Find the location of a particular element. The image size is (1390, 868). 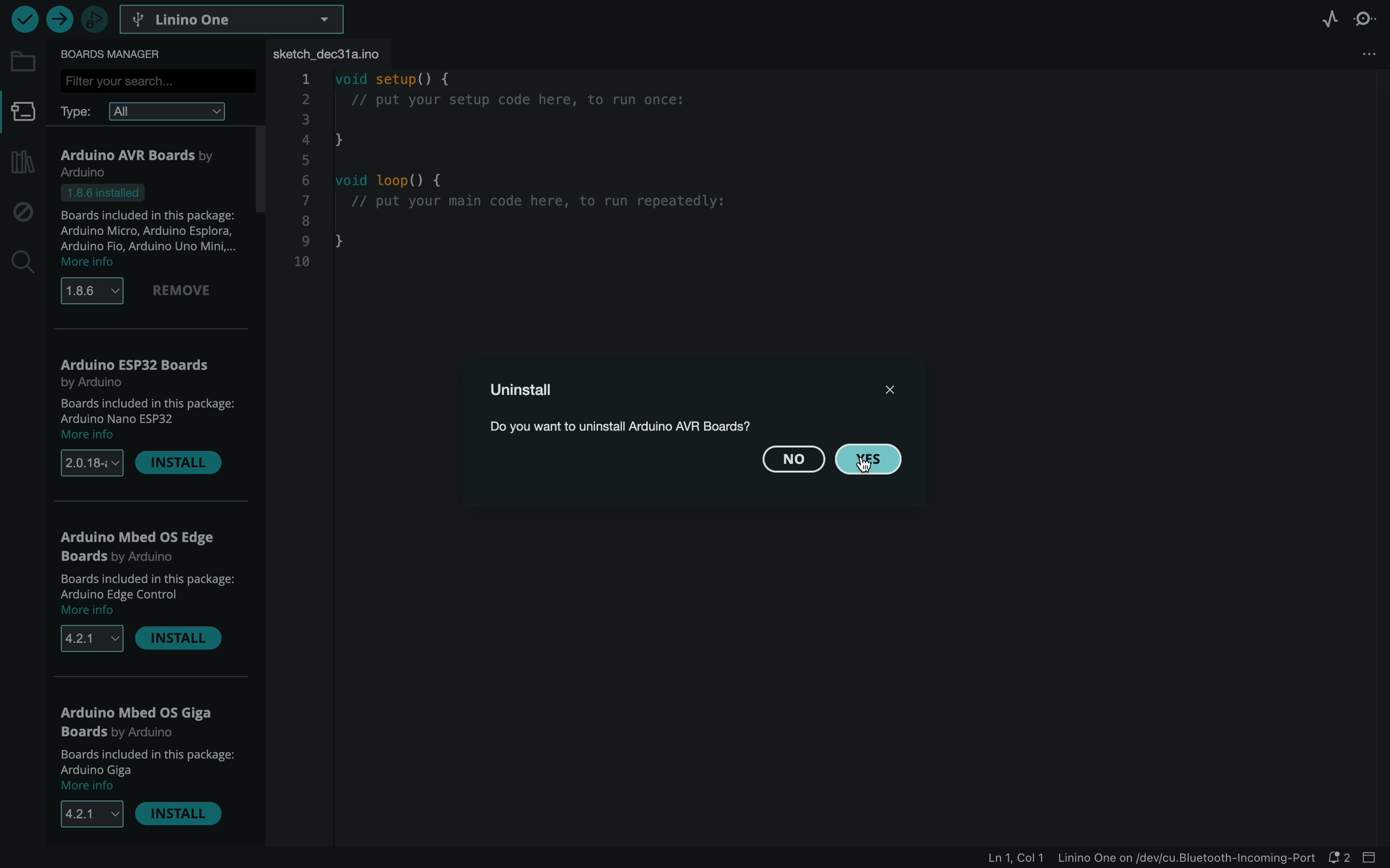

file tab is located at coordinates (362, 53).